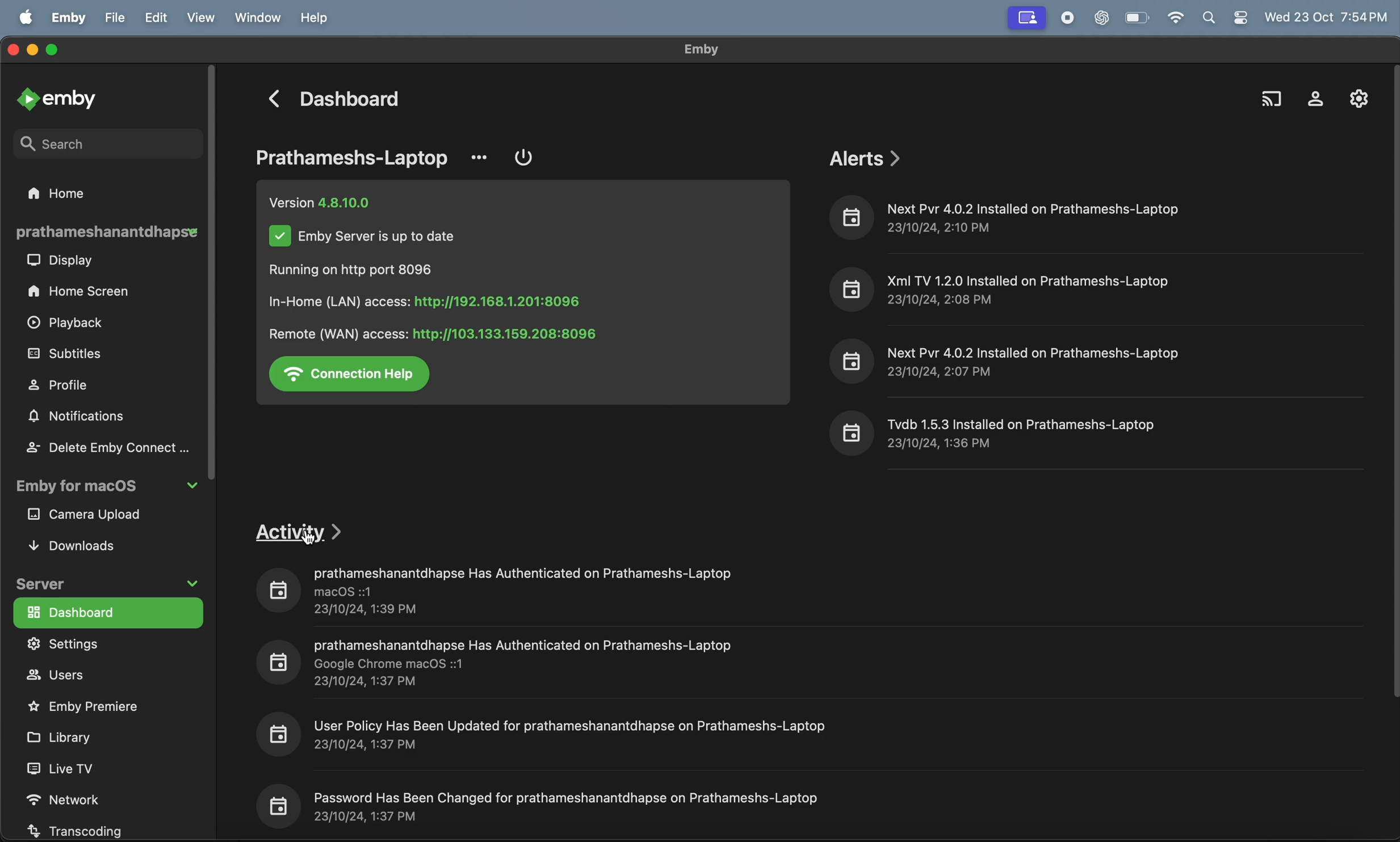 This screenshot has height=842, width=1400. What do you see at coordinates (12, 48) in the screenshot?
I see `closing window` at bounding box center [12, 48].